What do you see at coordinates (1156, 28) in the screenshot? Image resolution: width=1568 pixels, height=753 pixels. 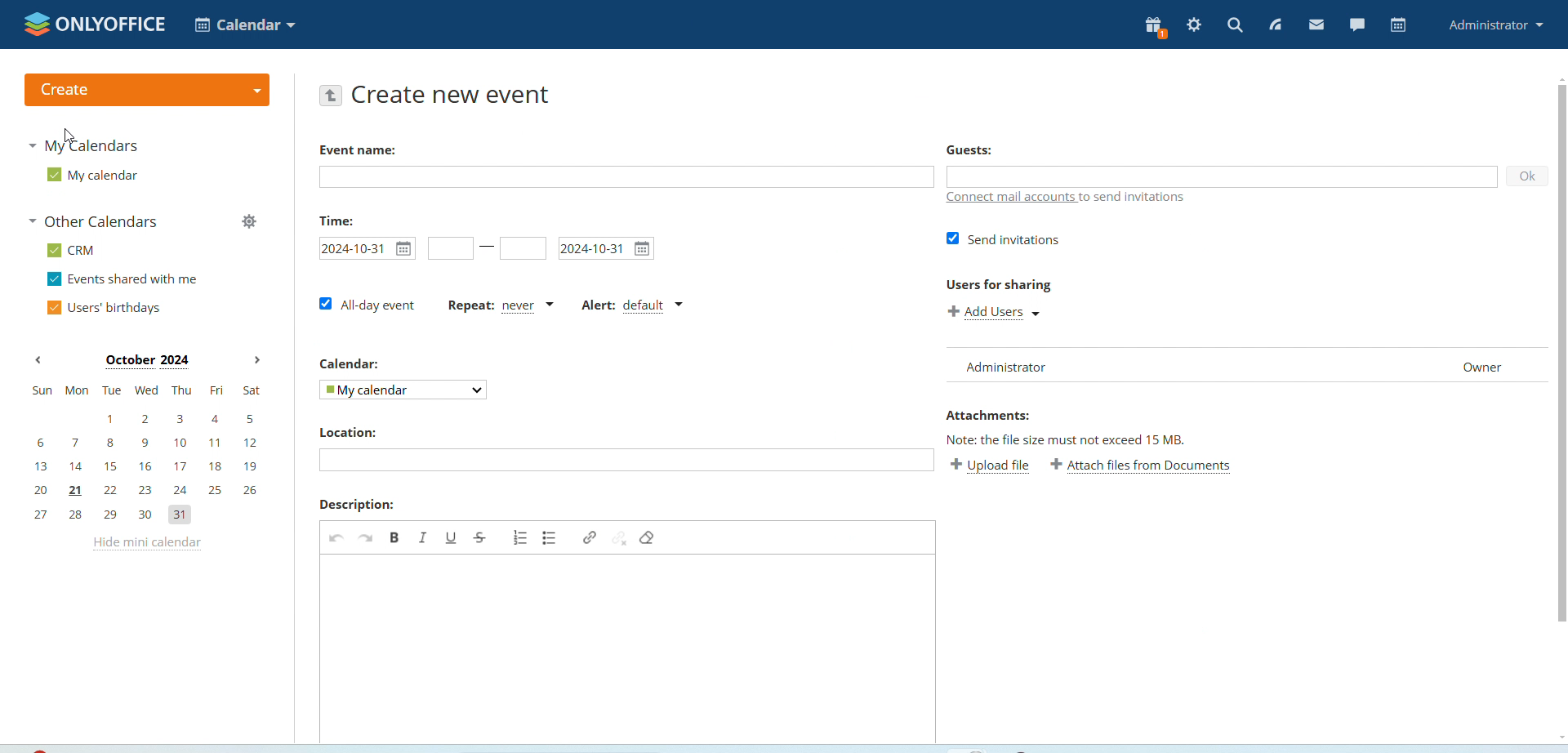 I see `present` at bounding box center [1156, 28].